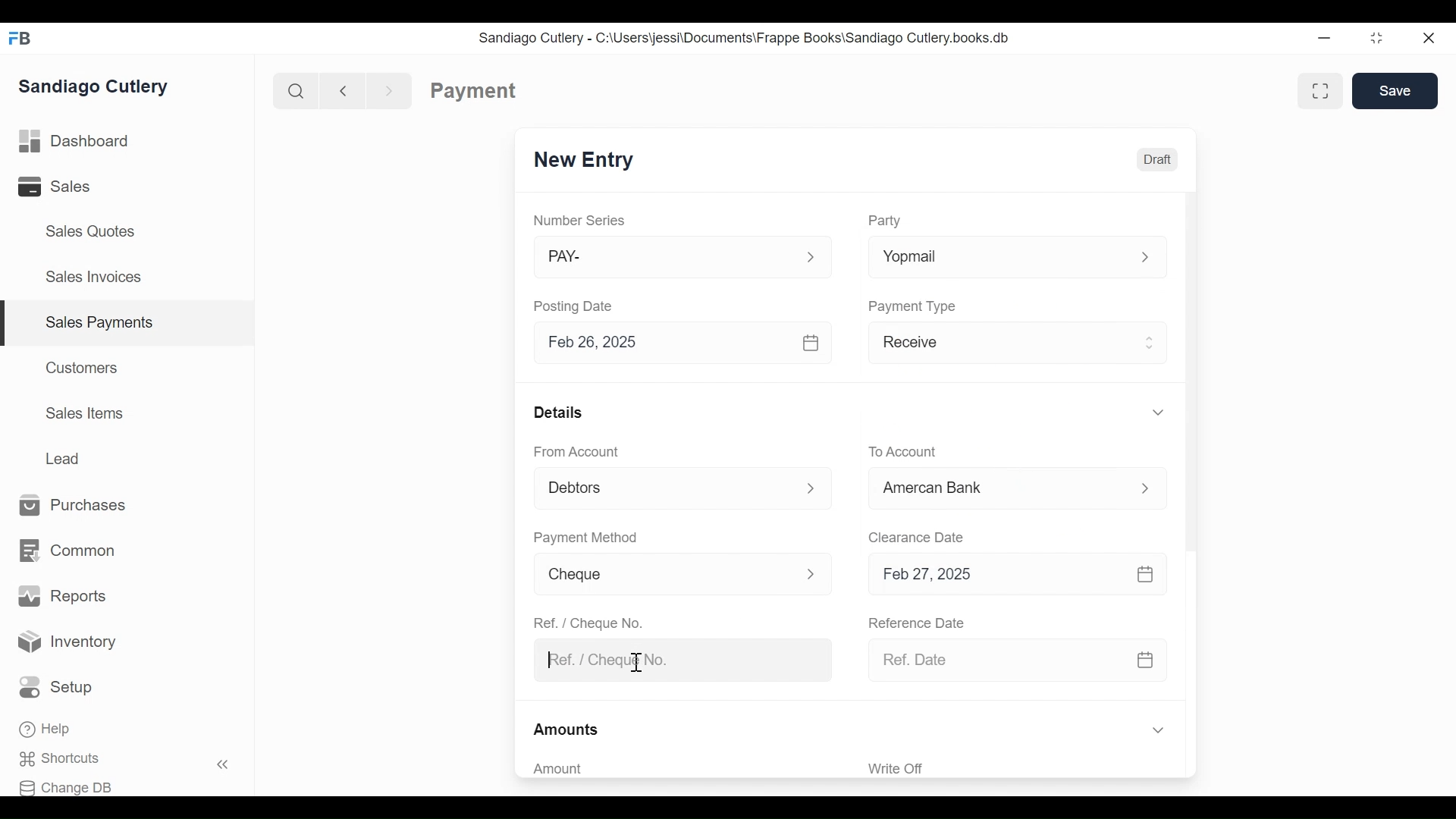 The width and height of the screenshot is (1456, 819). What do you see at coordinates (567, 730) in the screenshot?
I see `Amounts` at bounding box center [567, 730].